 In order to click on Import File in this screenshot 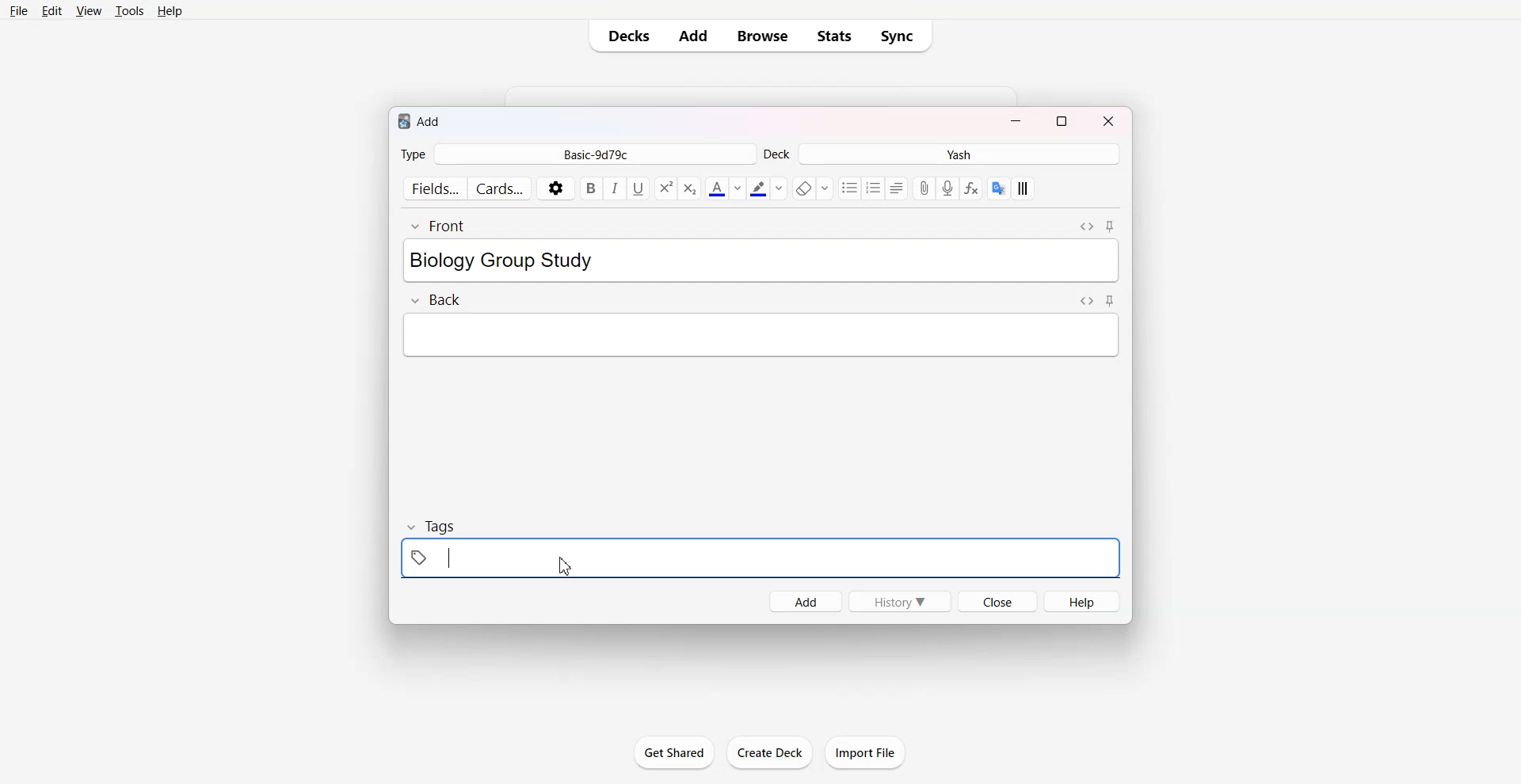, I will do `click(866, 752)`.